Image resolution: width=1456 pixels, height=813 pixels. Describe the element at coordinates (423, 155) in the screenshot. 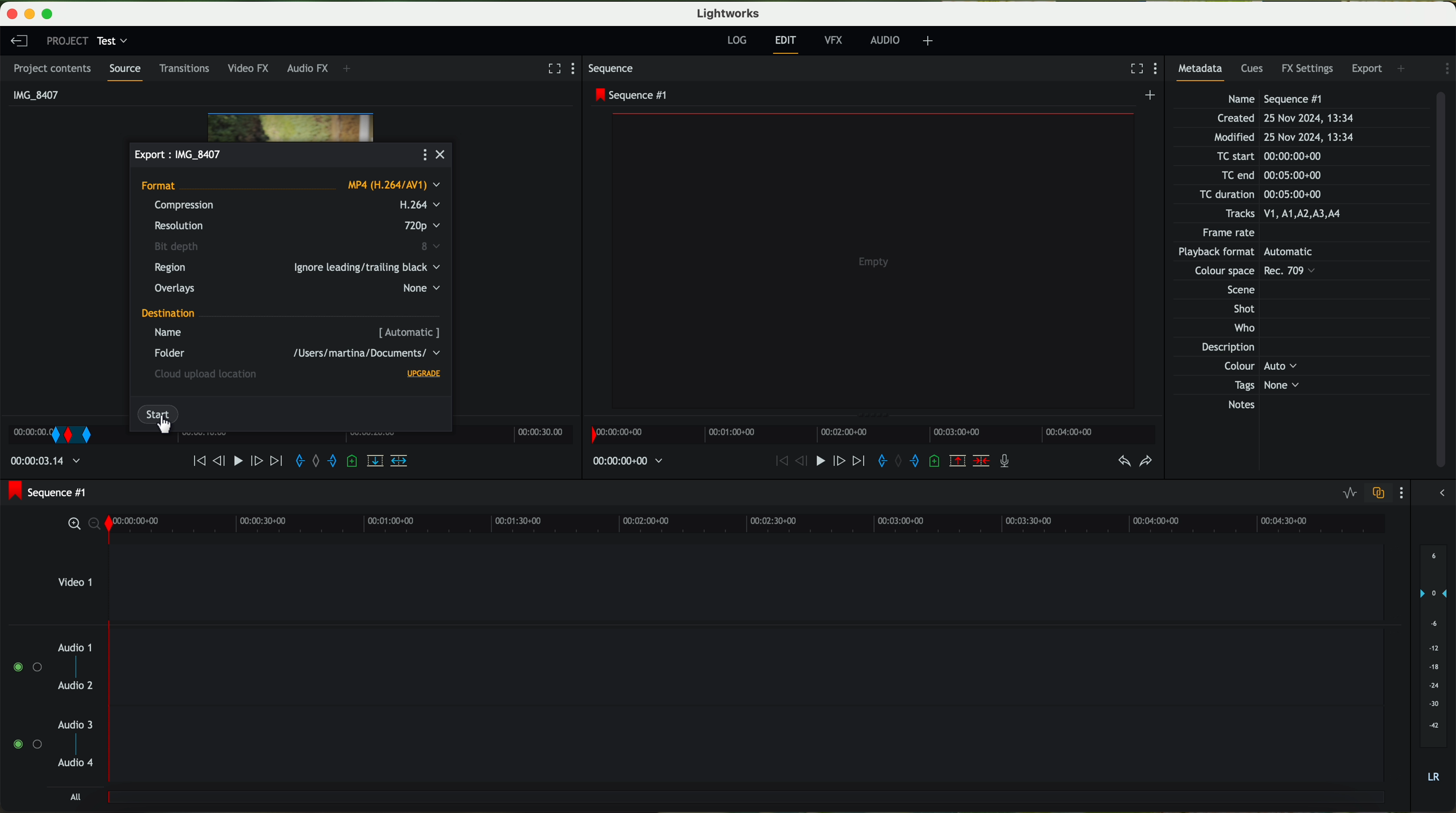

I see `more options` at that location.